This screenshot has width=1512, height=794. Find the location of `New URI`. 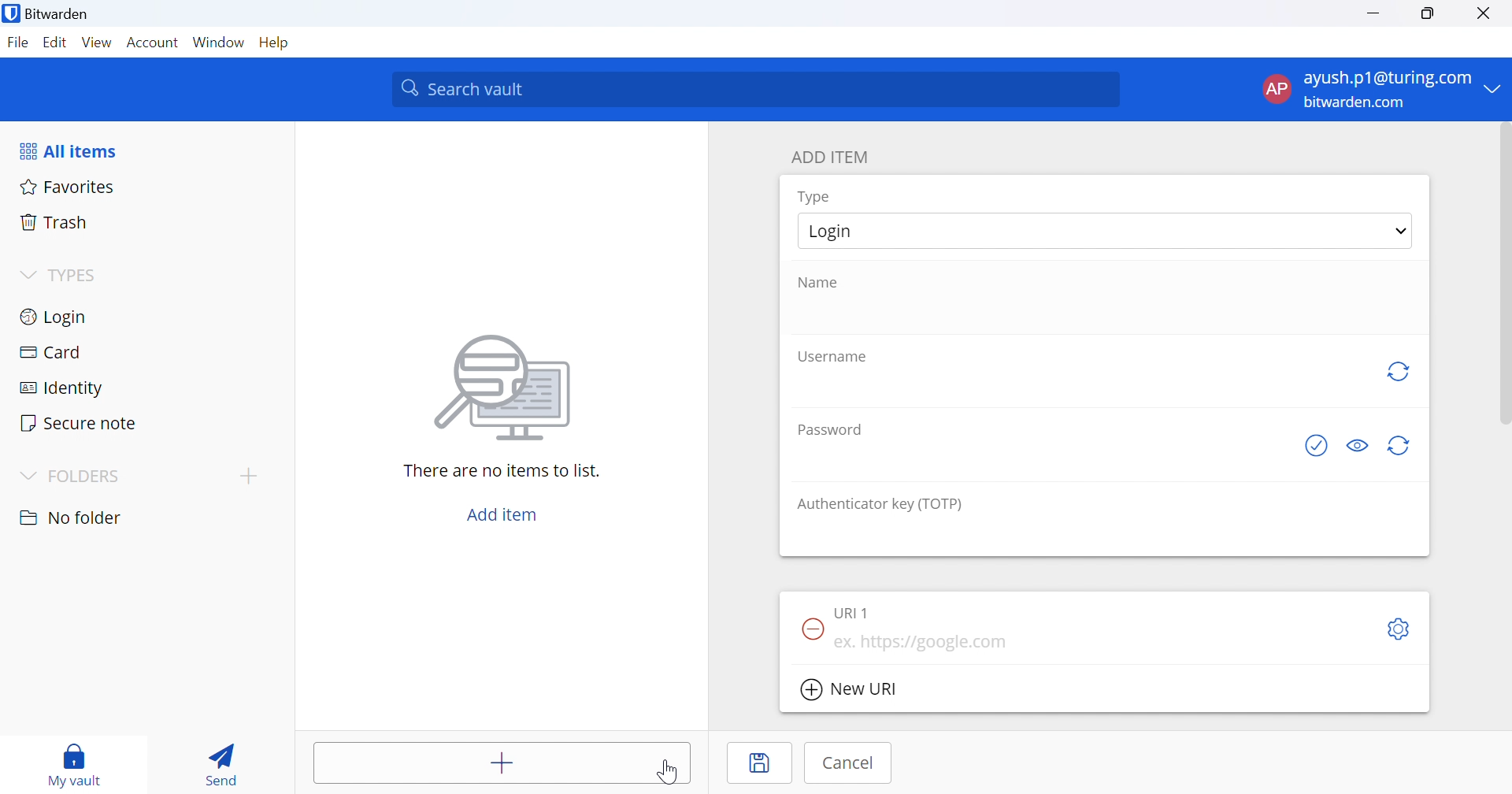

New URI is located at coordinates (848, 690).